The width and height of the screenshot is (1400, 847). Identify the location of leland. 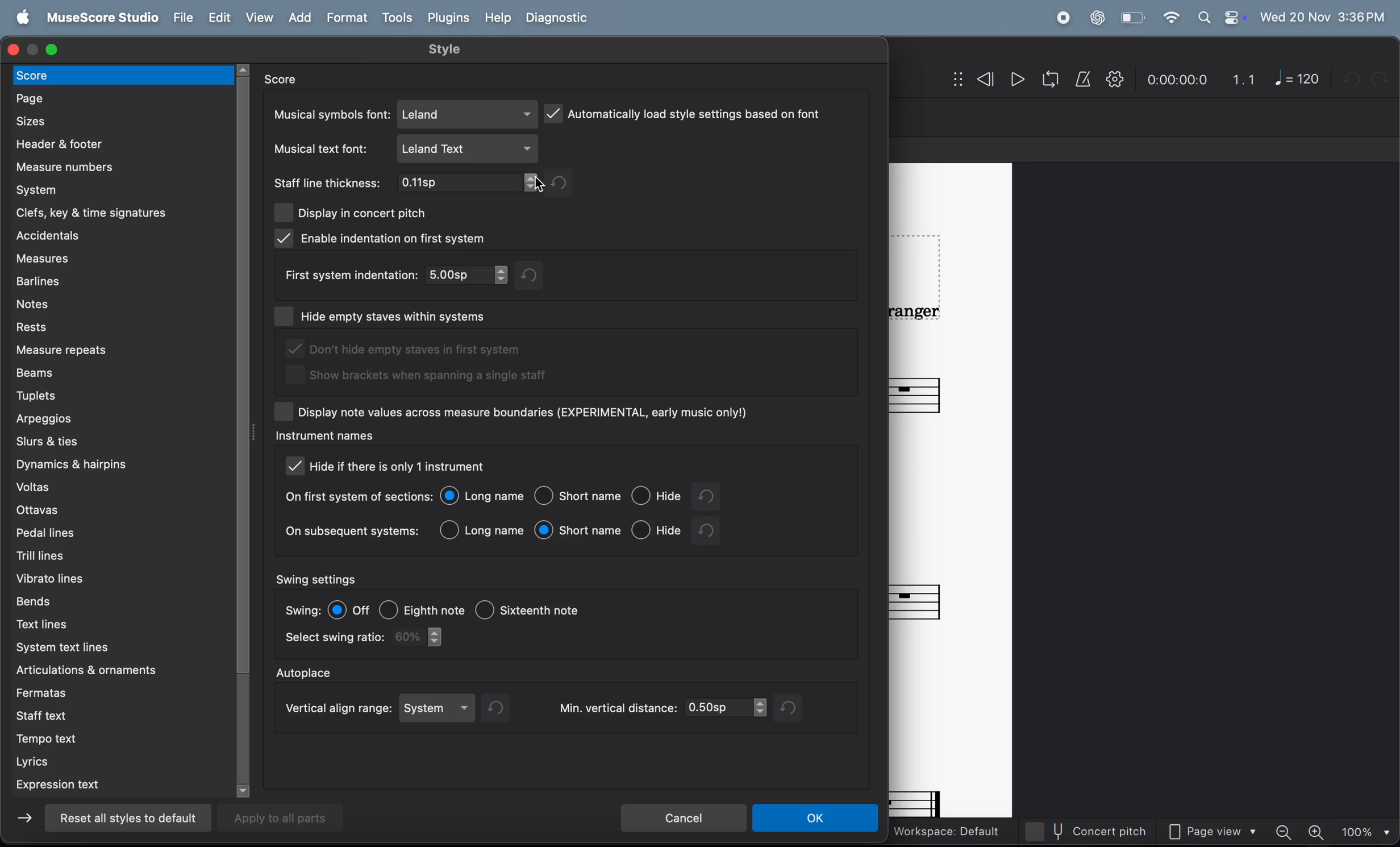
(468, 114).